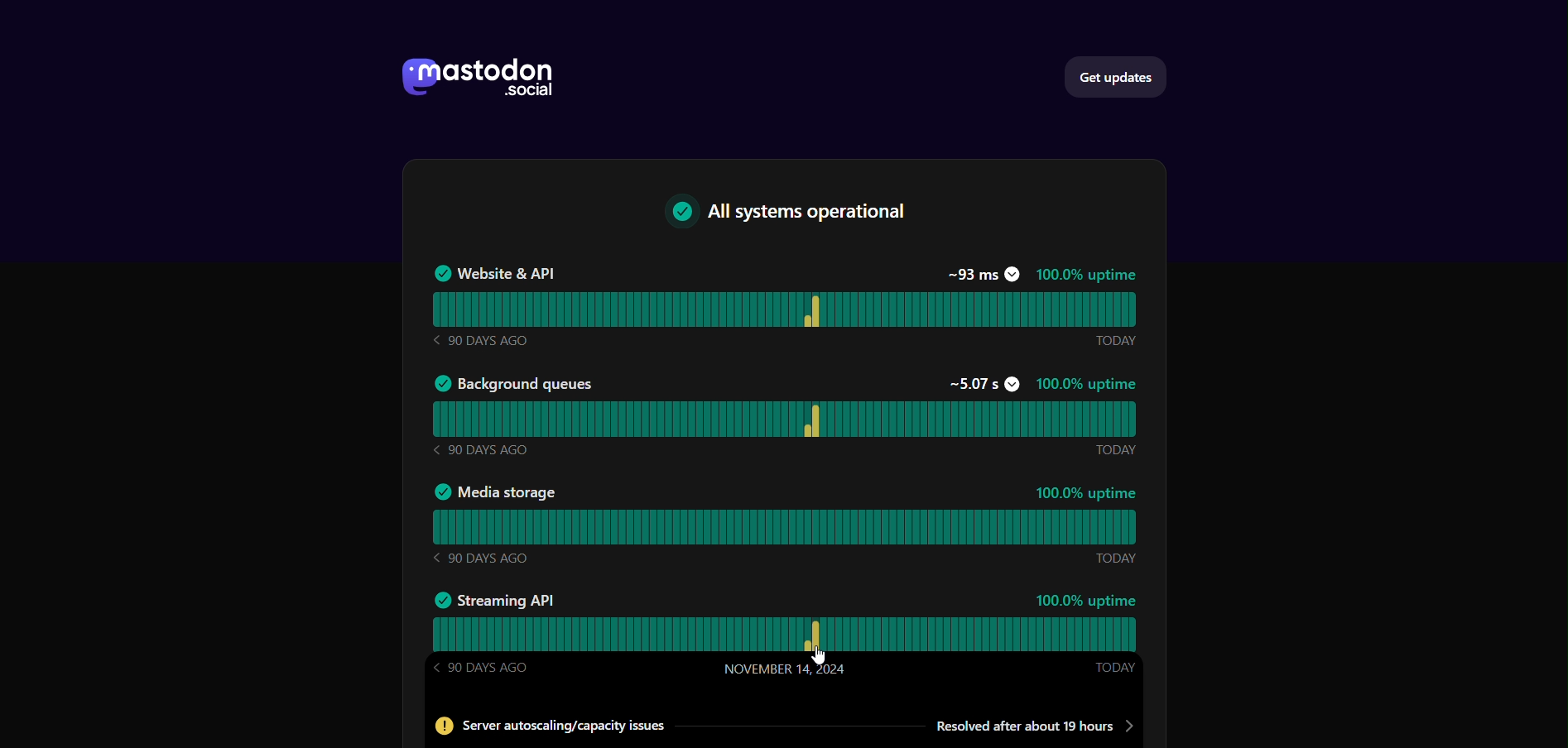 The width and height of the screenshot is (1568, 748). Describe the element at coordinates (1113, 450) in the screenshot. I see `Today` at that location.